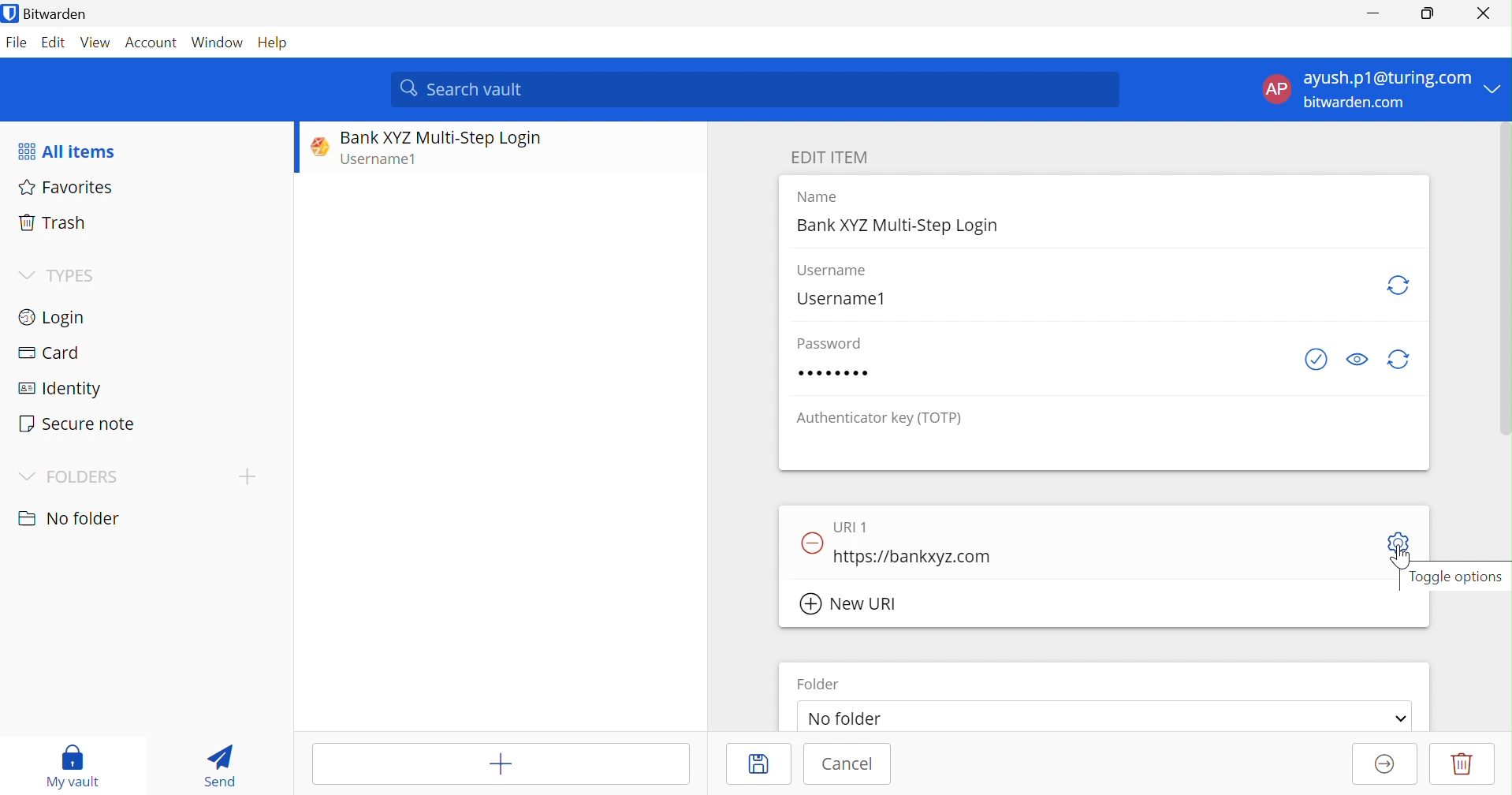 The image size is (1512, 795). What do you see at coordinates (26, 476) in the screenshot?
I see `Drop Down` at bounding box center [26, 476].